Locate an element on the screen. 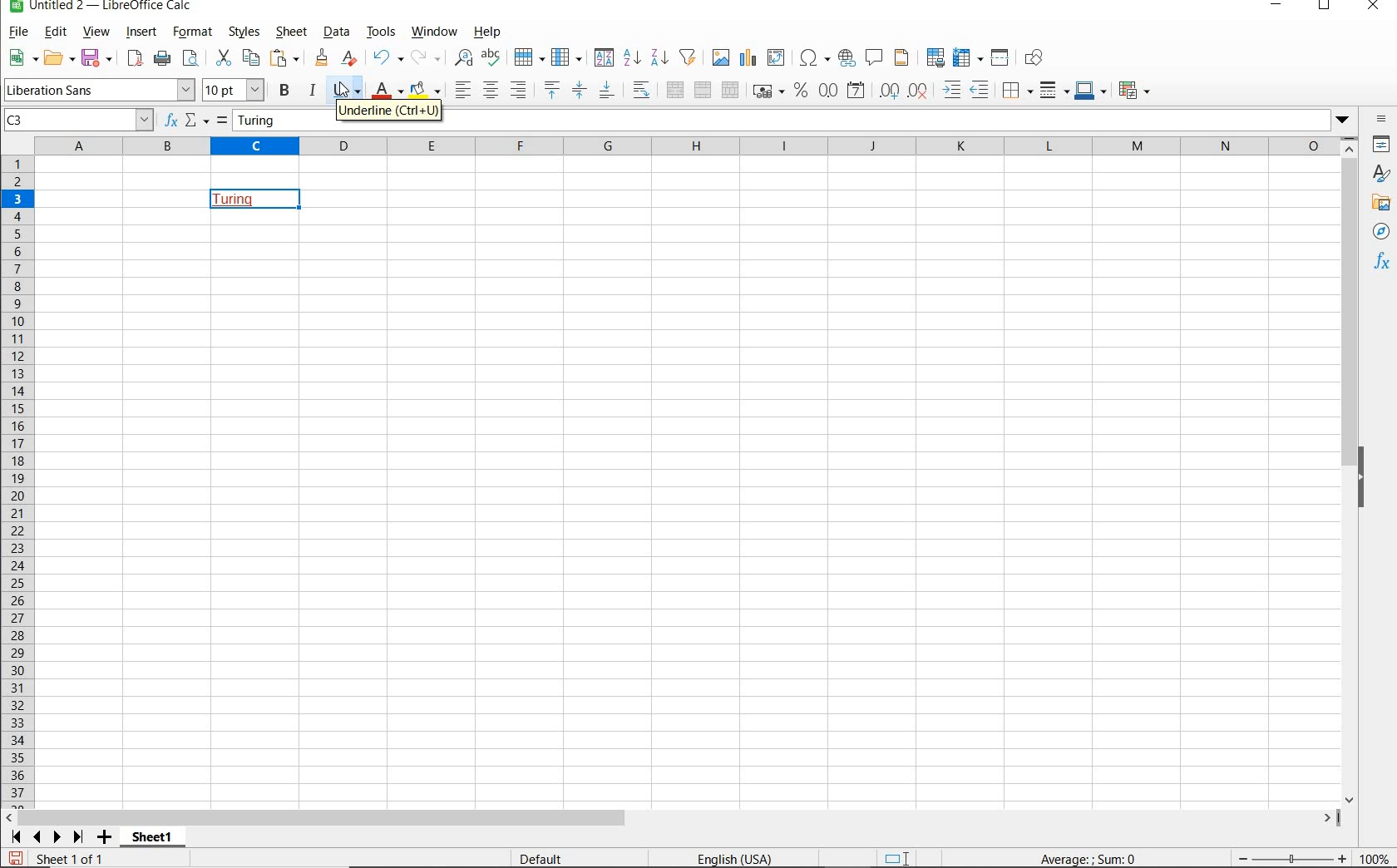 This screenshot has width=1397, height=868. INSERT HYPERLINK is located at coordinates (847, 60).